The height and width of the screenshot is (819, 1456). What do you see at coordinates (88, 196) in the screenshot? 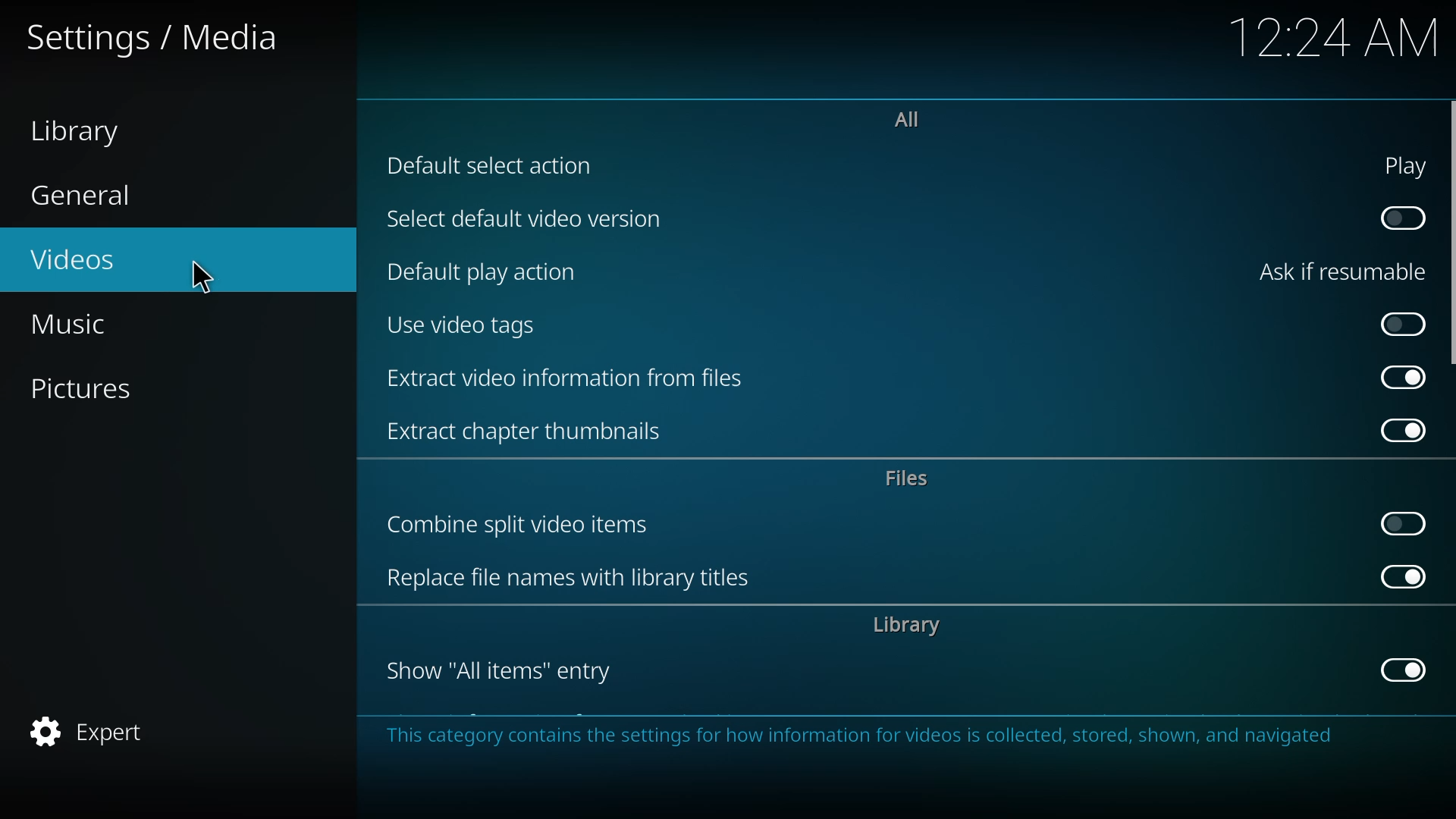
I see `general` at bounding box center [88, 196].